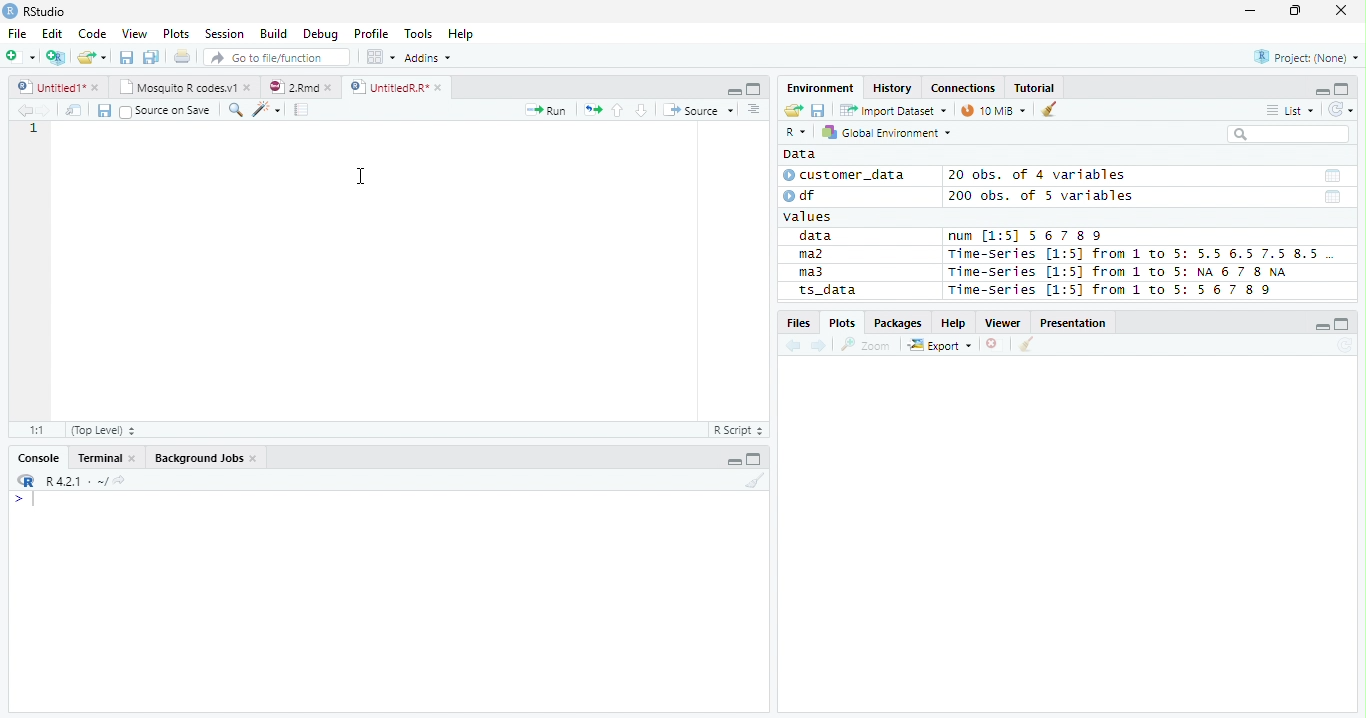 Image resolution: width=1366 pixels, height=718 pixels. Describe the element at coordinates (106, 460) in the screenshot. I see `Terminal` at that location.